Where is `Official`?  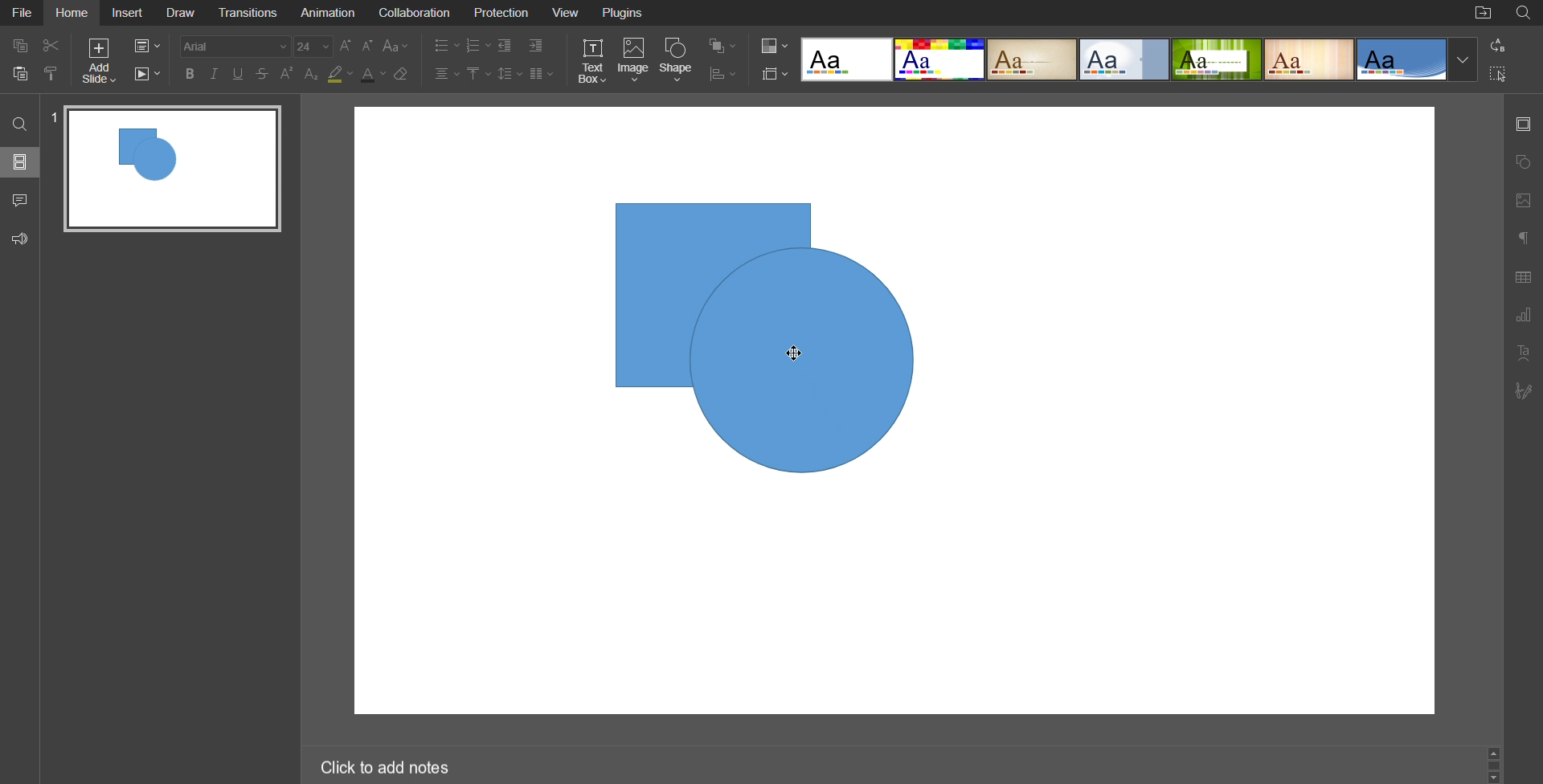 Official is located at coordinates (1124, 59).